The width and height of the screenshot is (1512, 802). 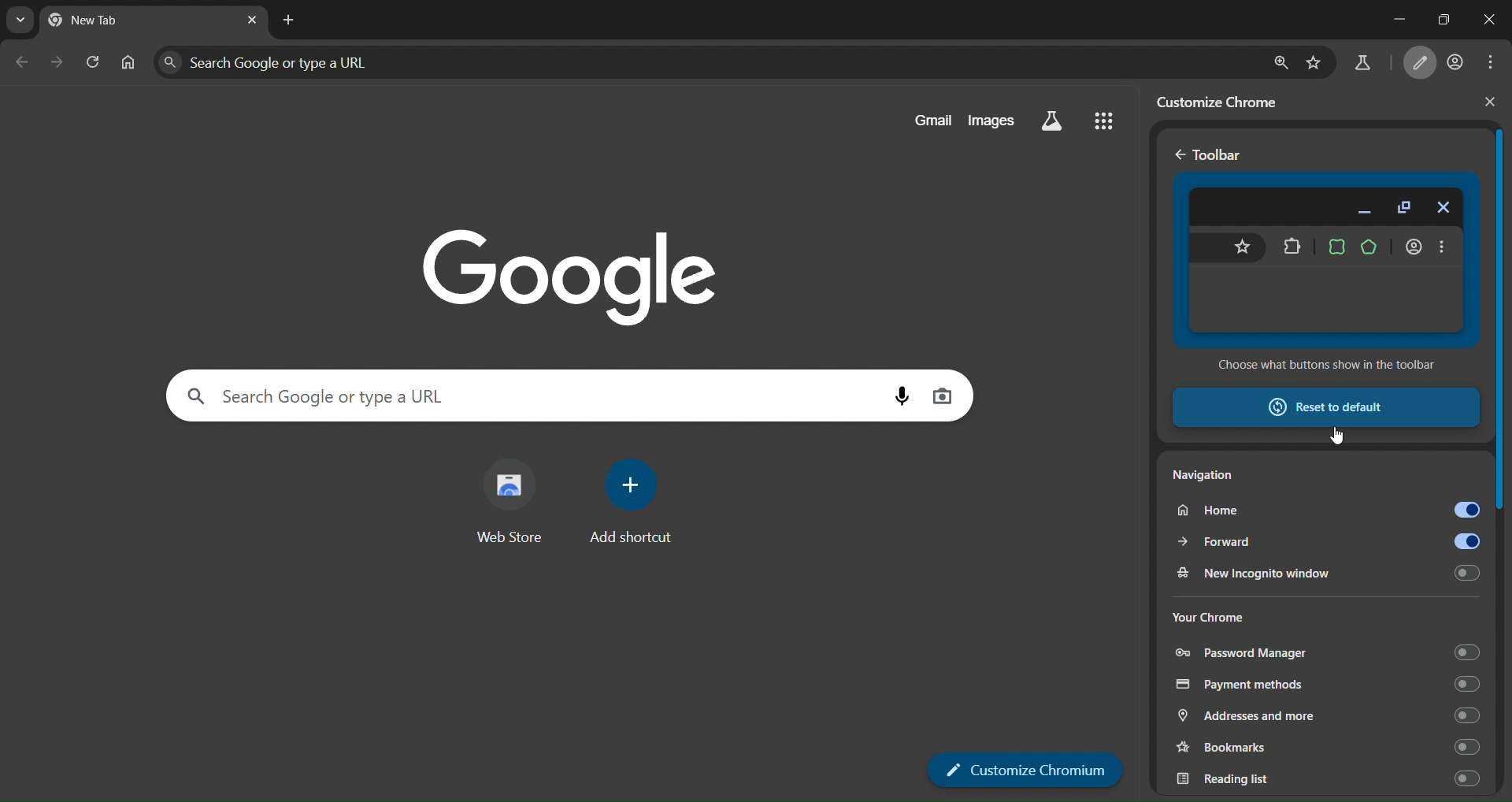 I want to click on image search, so click(x=946, y=395).